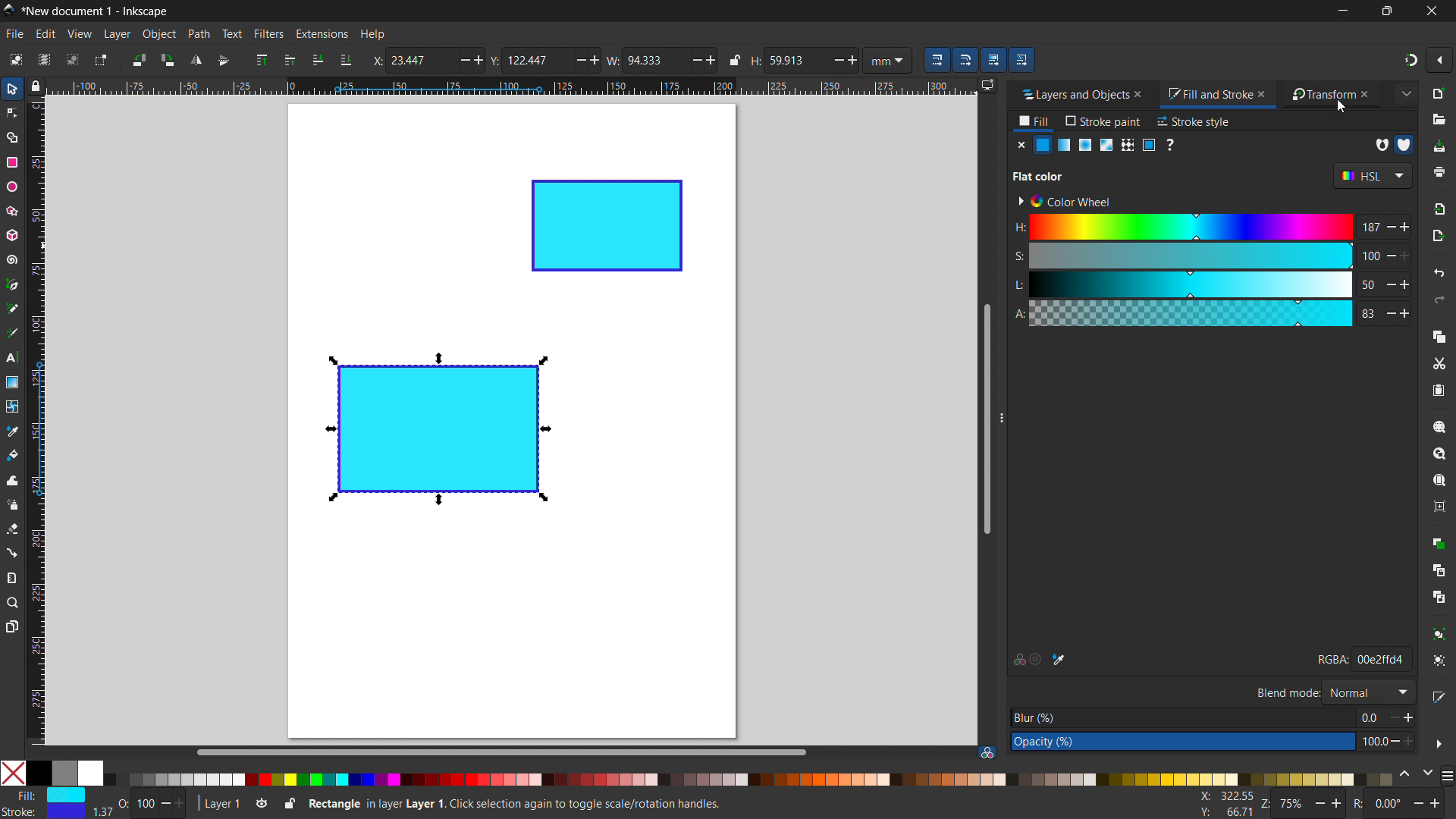 Image resolution: width=1456 pixels, height=819 pixels. What do you see at coordinates (1439, 481) in the screenshot?
I see `zoom page` at bounding box center [1439, 481].